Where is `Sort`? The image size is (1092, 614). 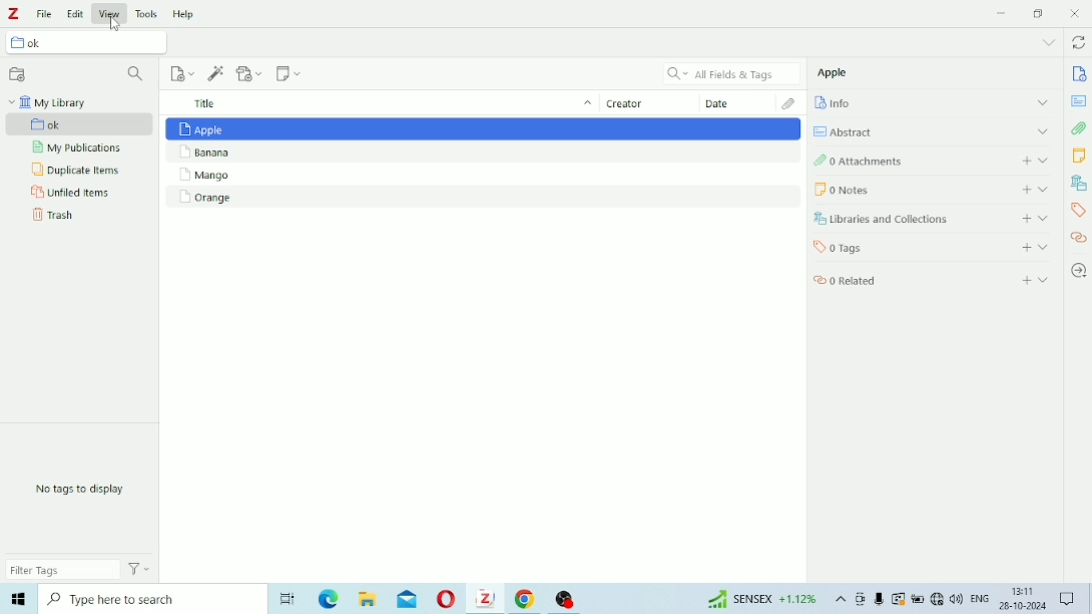 Sort is located at coordinates (585, 105).